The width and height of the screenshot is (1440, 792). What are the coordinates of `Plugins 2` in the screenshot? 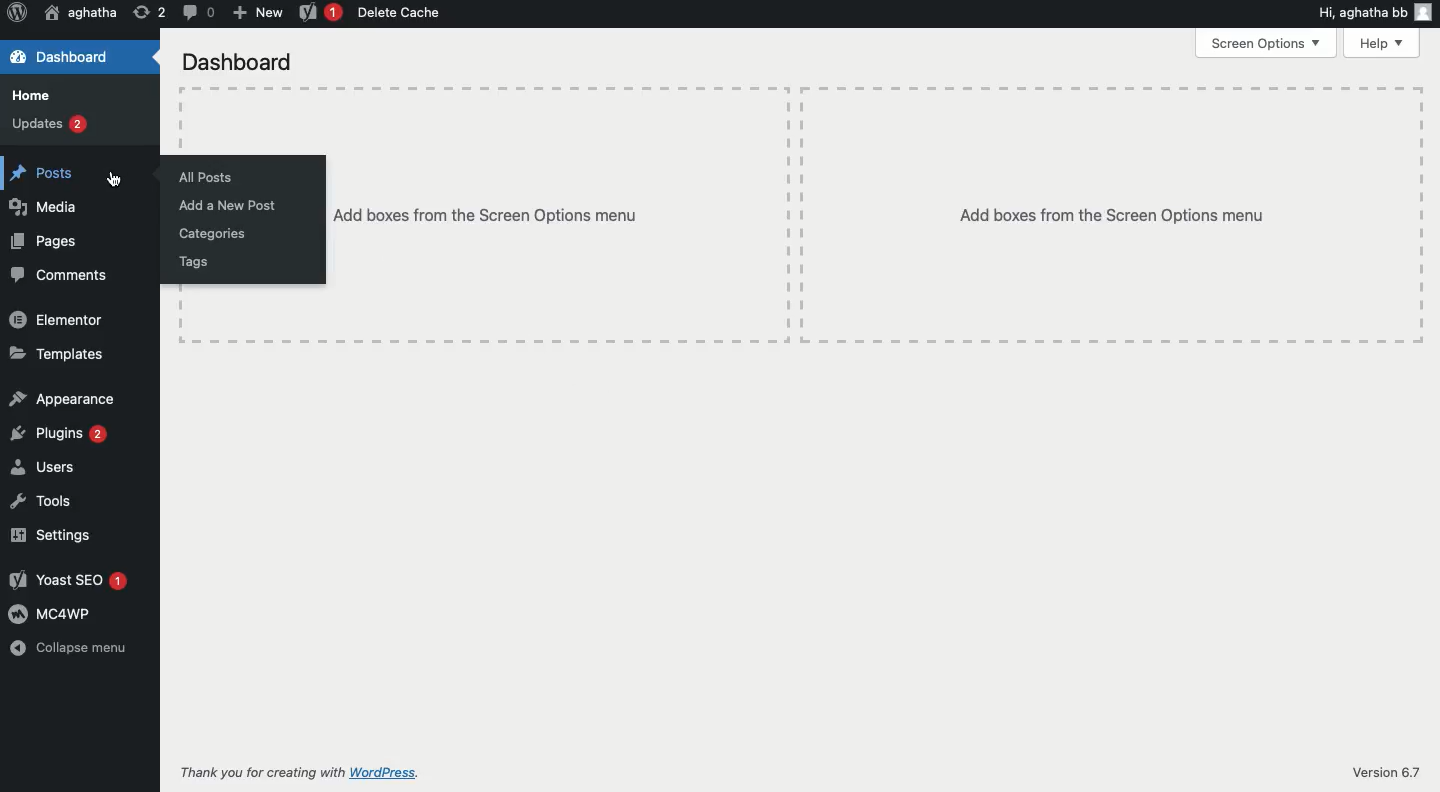 It's located at (59, 432).